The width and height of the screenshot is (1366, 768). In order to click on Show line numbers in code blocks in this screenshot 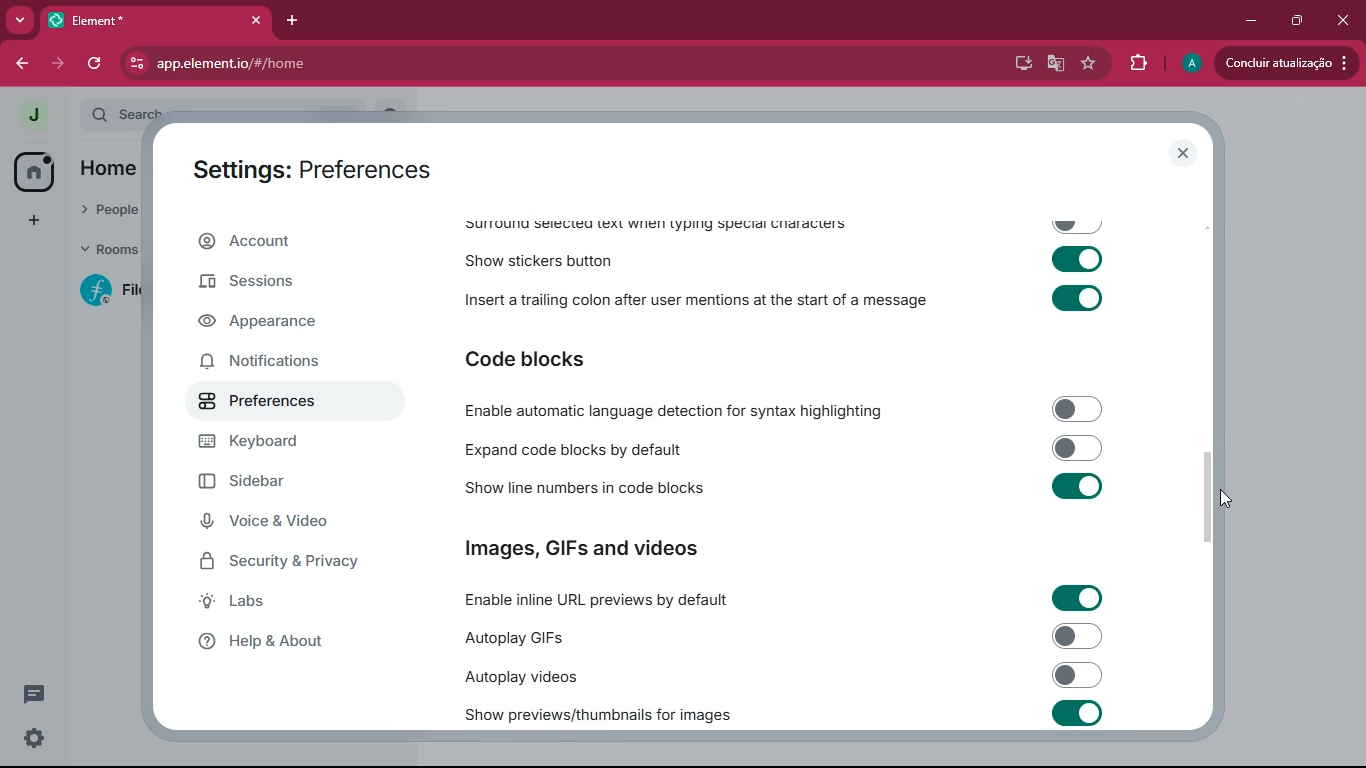, I will do `click(781, 488)`.